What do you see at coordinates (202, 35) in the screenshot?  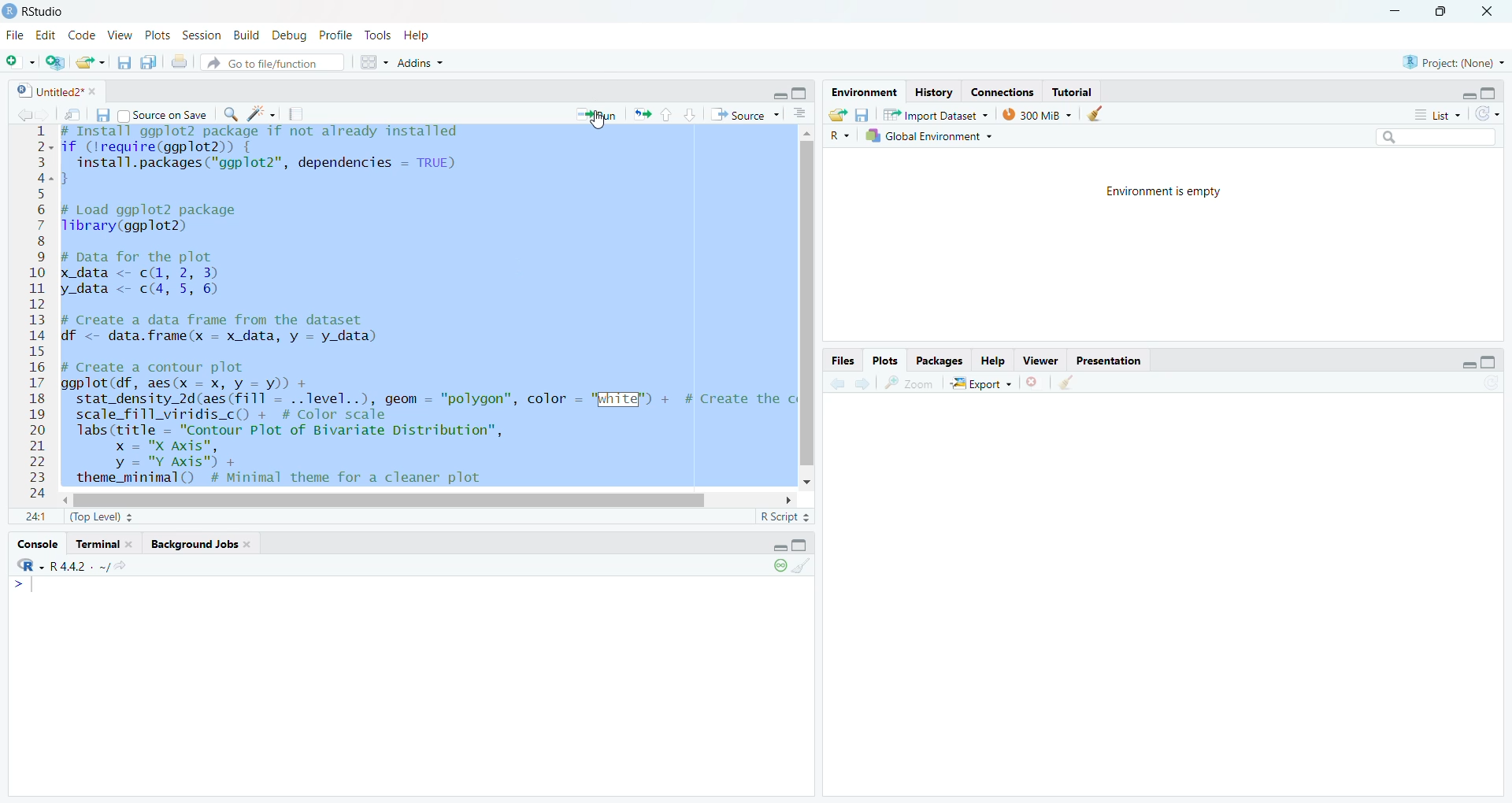 I see `Session` at bounding box center [202, 35].